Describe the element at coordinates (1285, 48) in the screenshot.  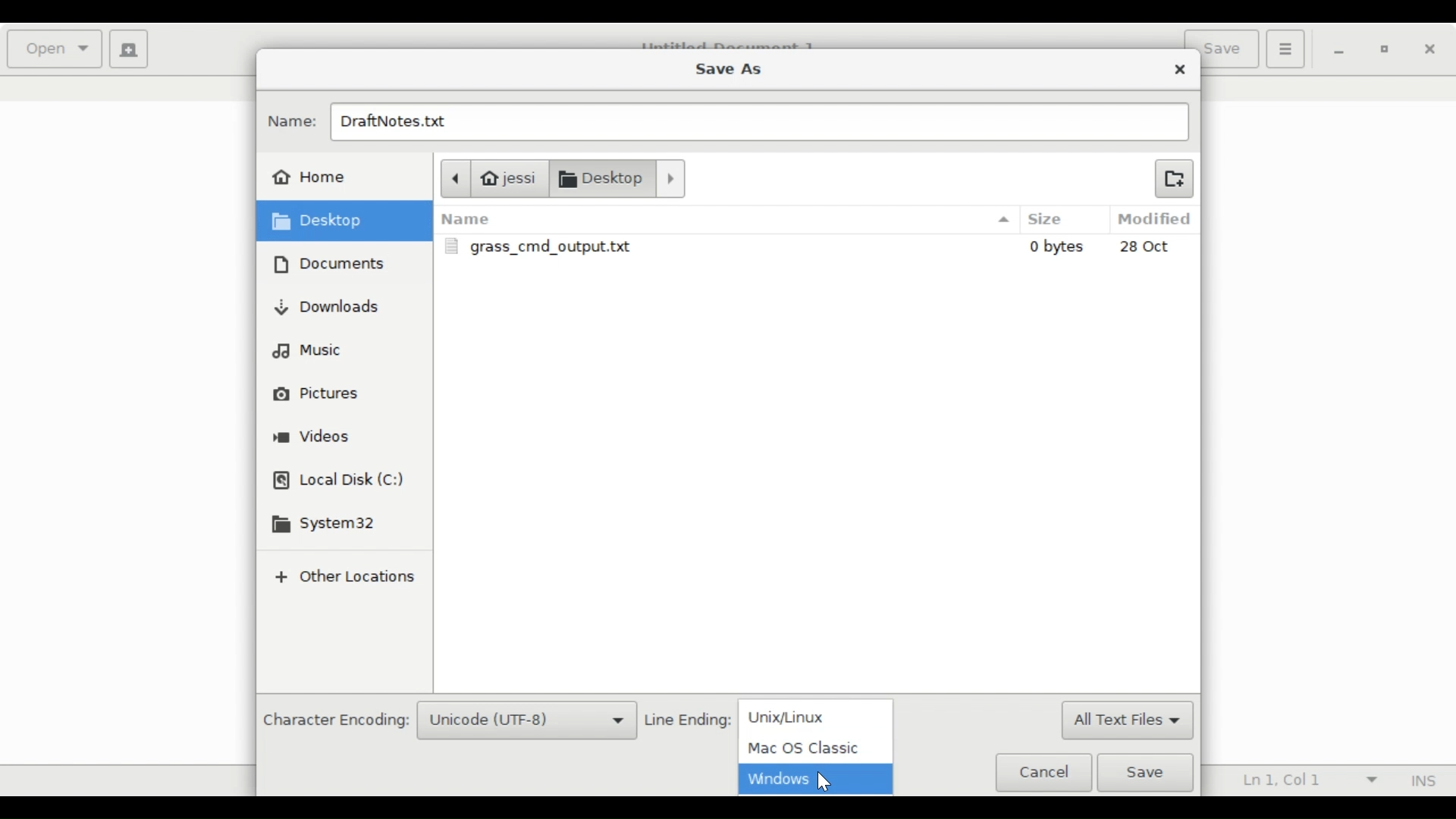
I see `Application menu` at that location.